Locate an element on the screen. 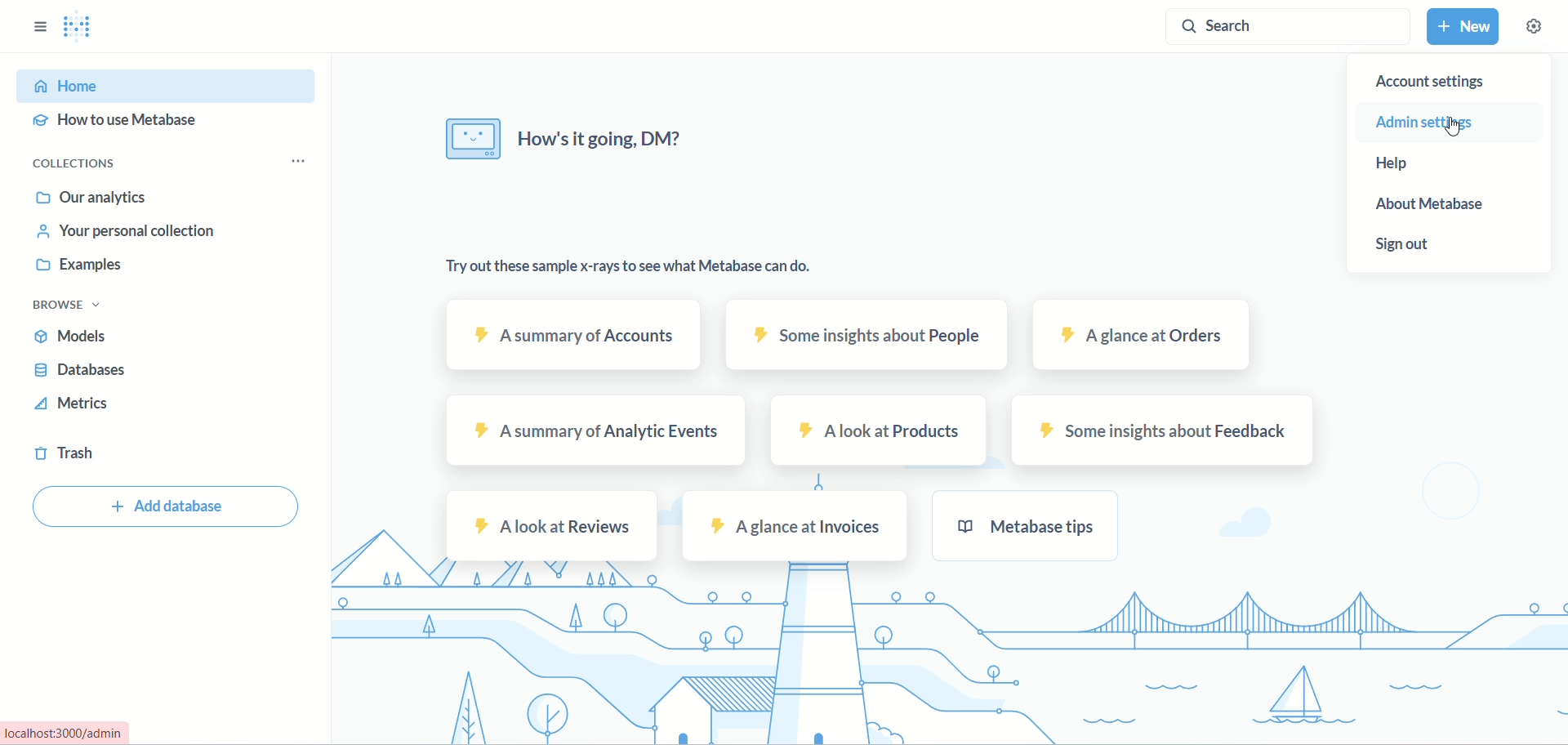  more is located at coordinates (296, 159).